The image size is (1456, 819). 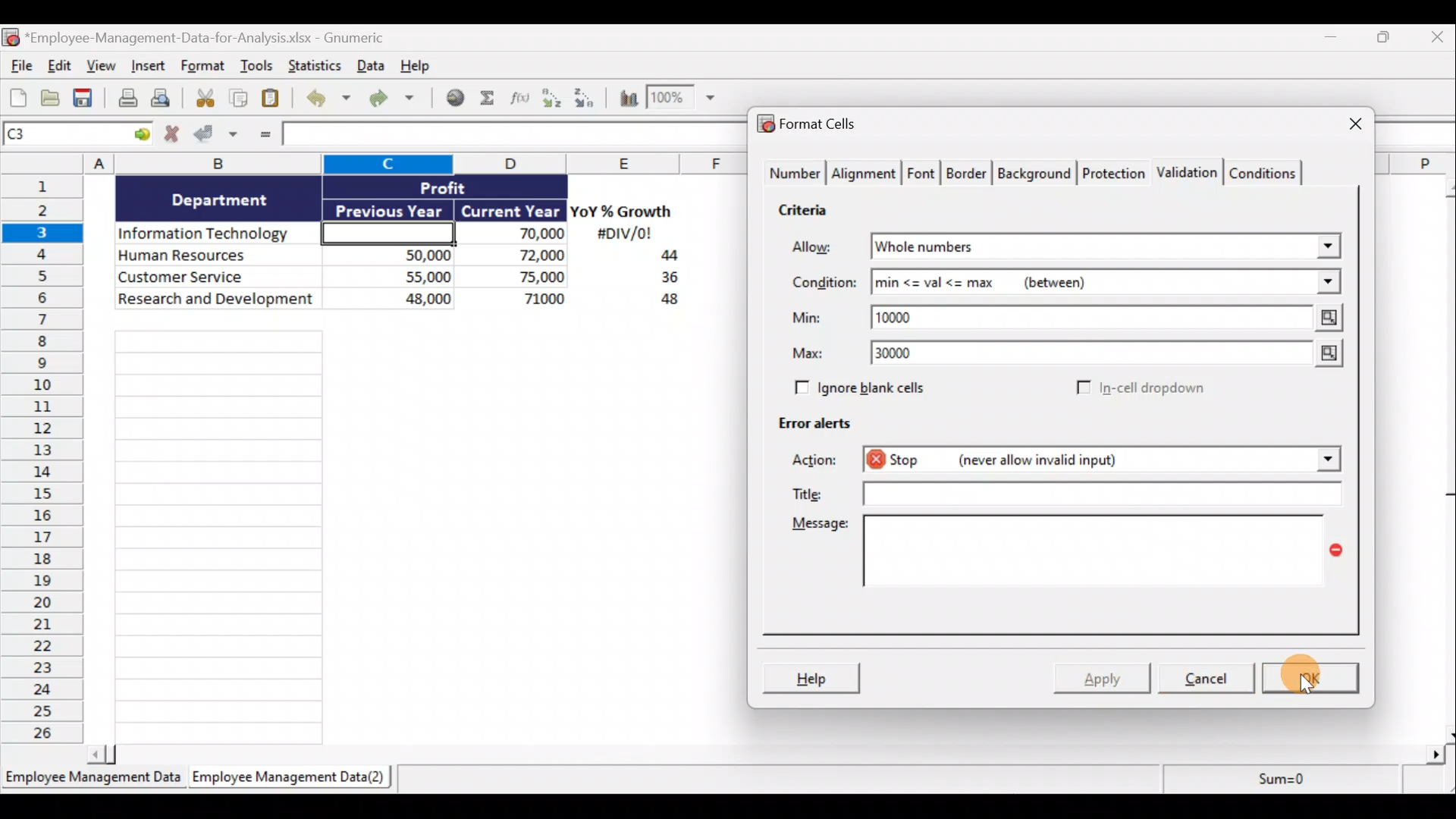 What do you see at coordinates (218, 136) in the screenshot?
I see `Accept changes` at bounding box center [218, 136].